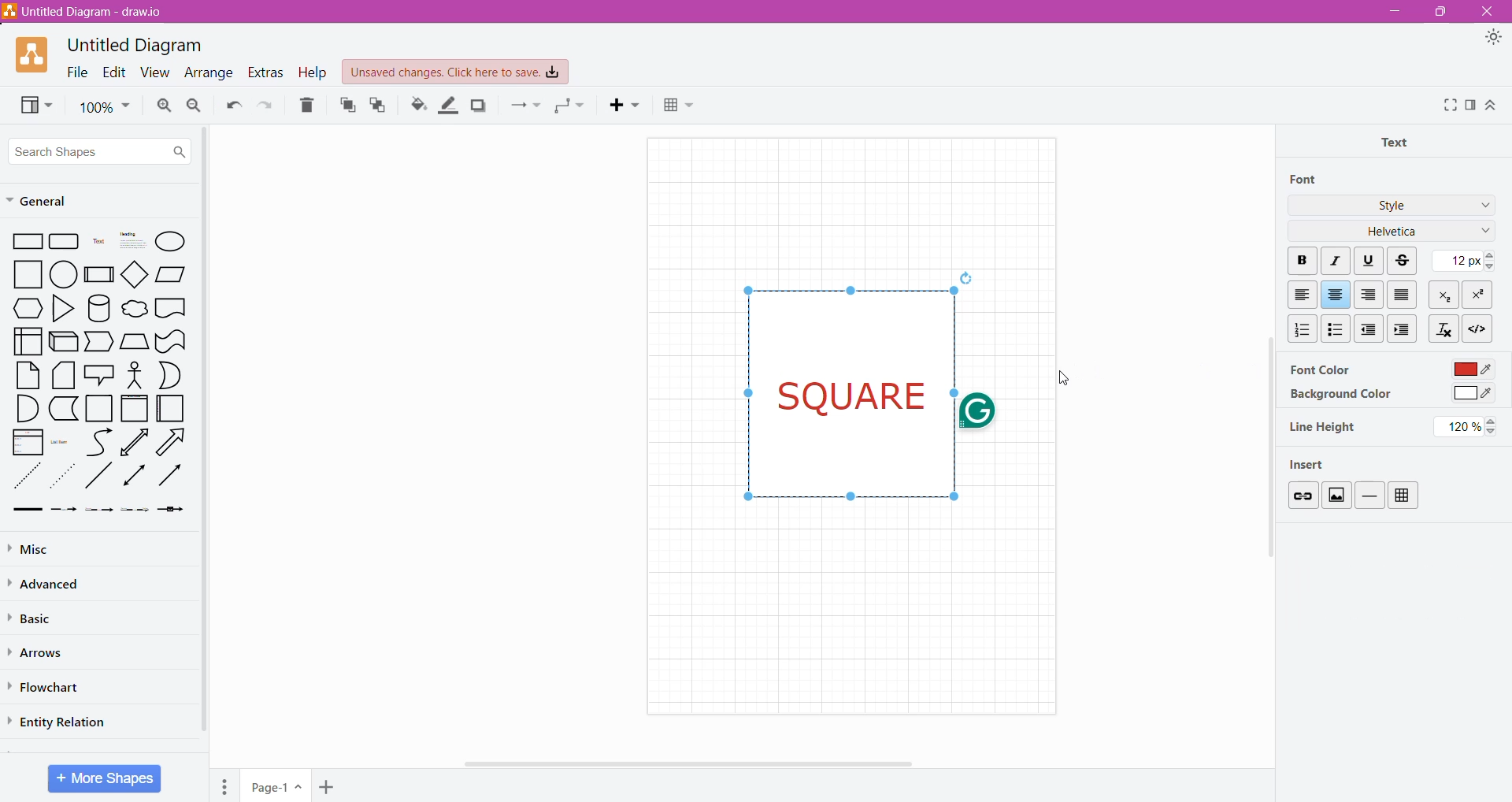 Image resolution: width=1512 pixels, height=802 pixels. Describe the element at coordinates (1485, 11) in the screenshot. I see `Close` at that location.